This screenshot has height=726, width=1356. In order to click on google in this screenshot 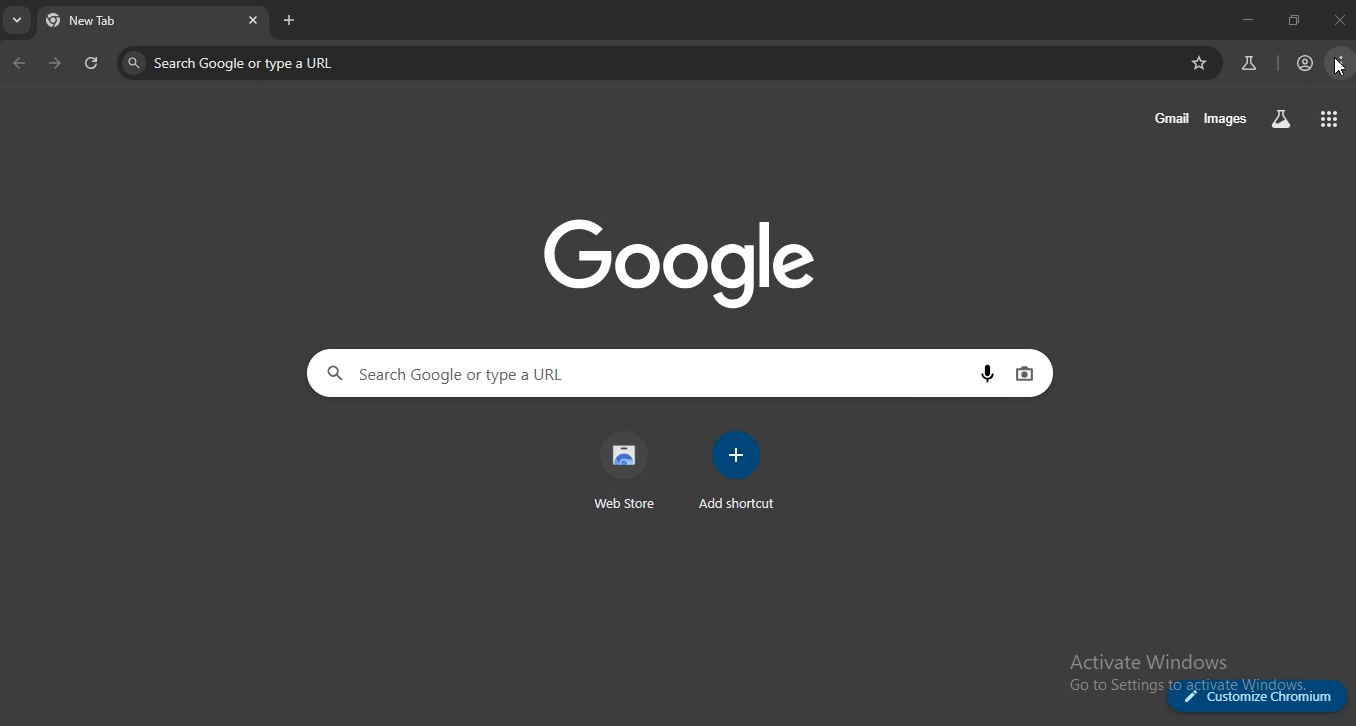, I will do `click(692, 261)`.